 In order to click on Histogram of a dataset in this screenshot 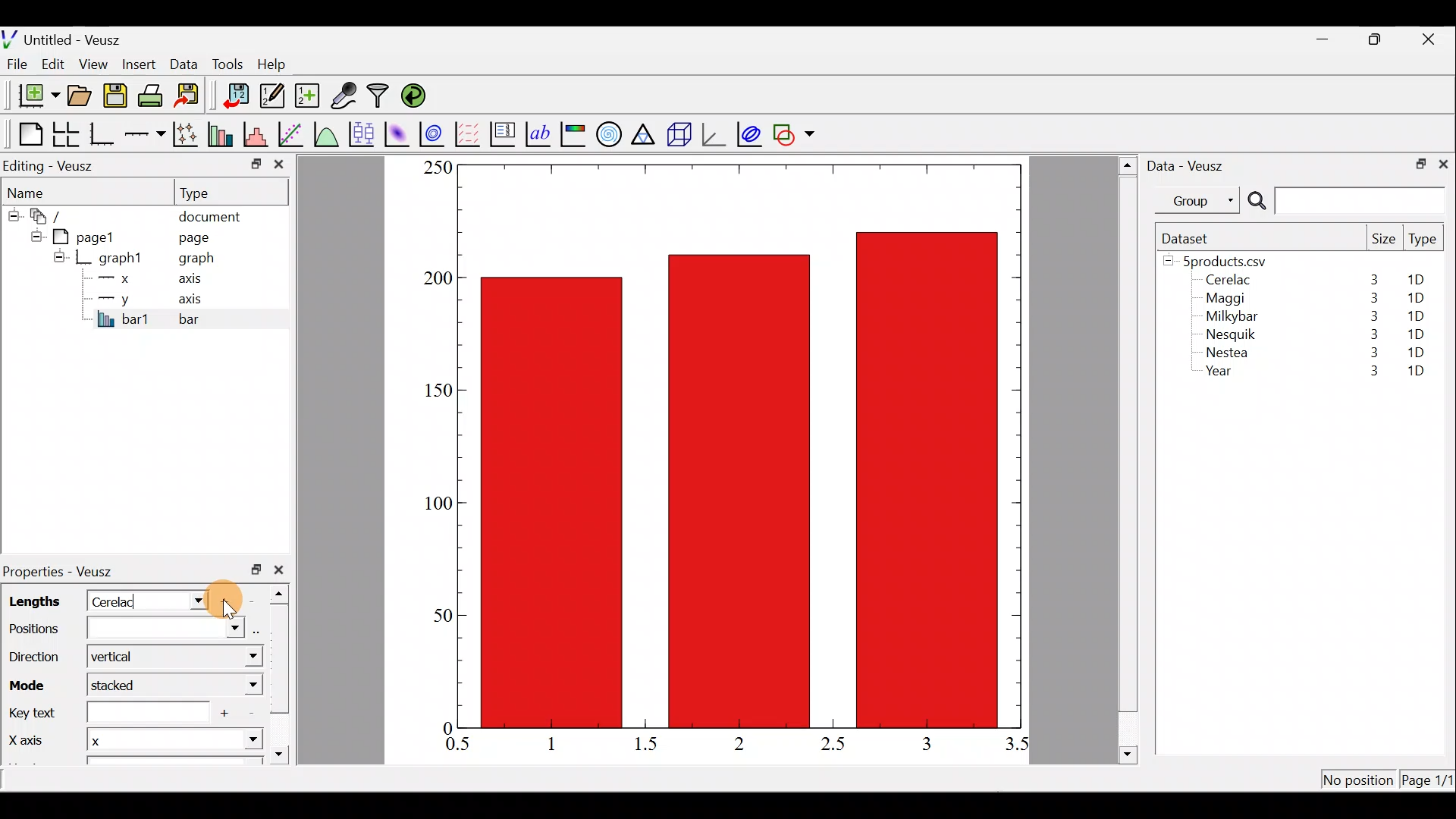, I will do `click(260, 135)`.